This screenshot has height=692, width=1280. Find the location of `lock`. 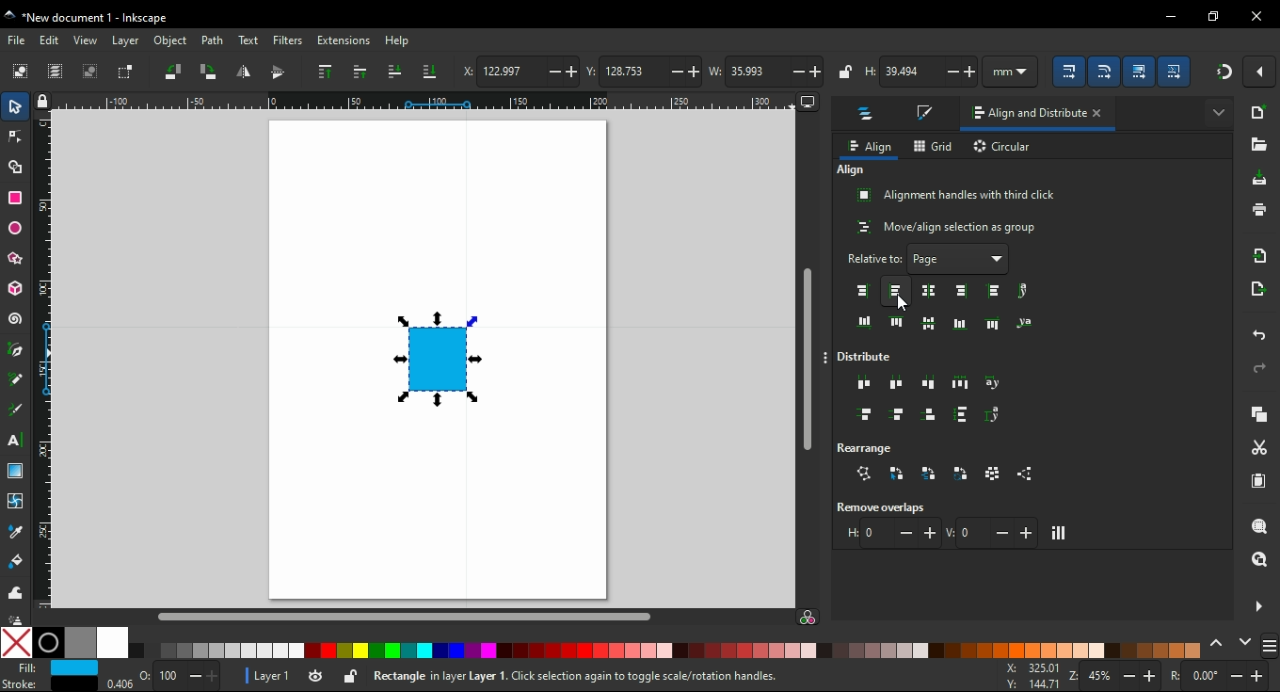

lock is located at coordinates (845, 71).